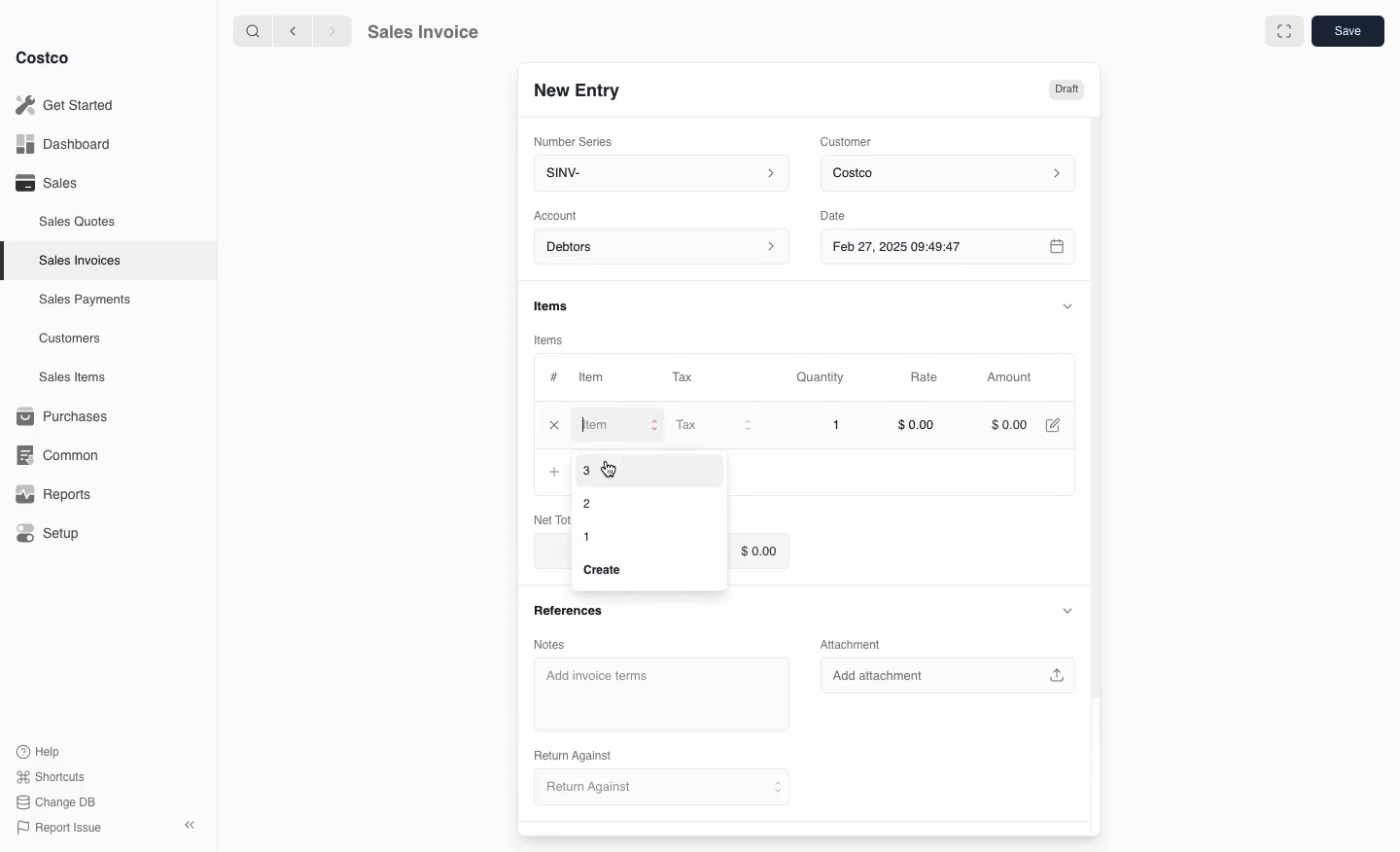 The height and width of the screenshot is (852, 1400). What do you see at coordinates (577, 90) in the screenshot?
I see `New Entry` at bounding box center [577, 90].